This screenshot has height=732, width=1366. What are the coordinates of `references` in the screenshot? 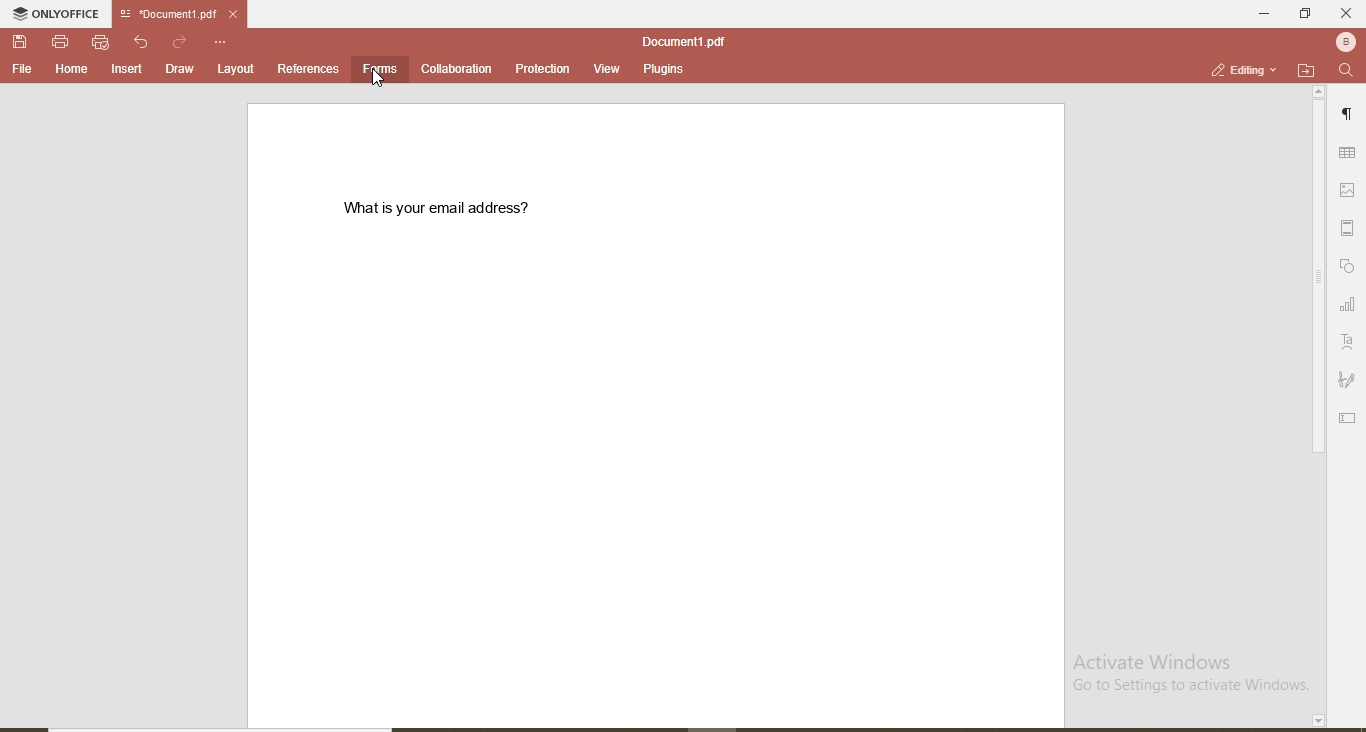 It's located at (308, 68).